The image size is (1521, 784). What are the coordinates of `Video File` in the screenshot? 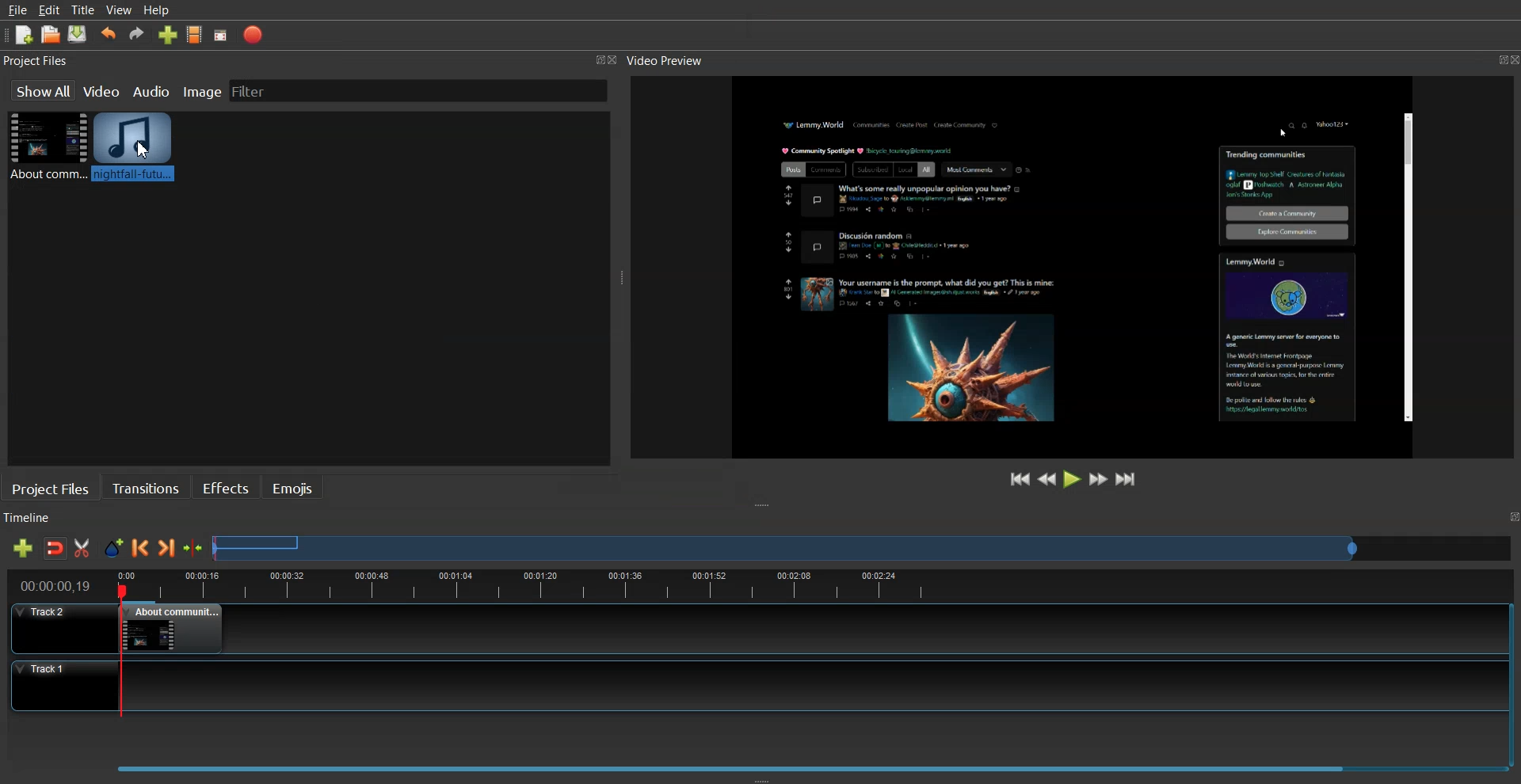 It's located at (45, 146).